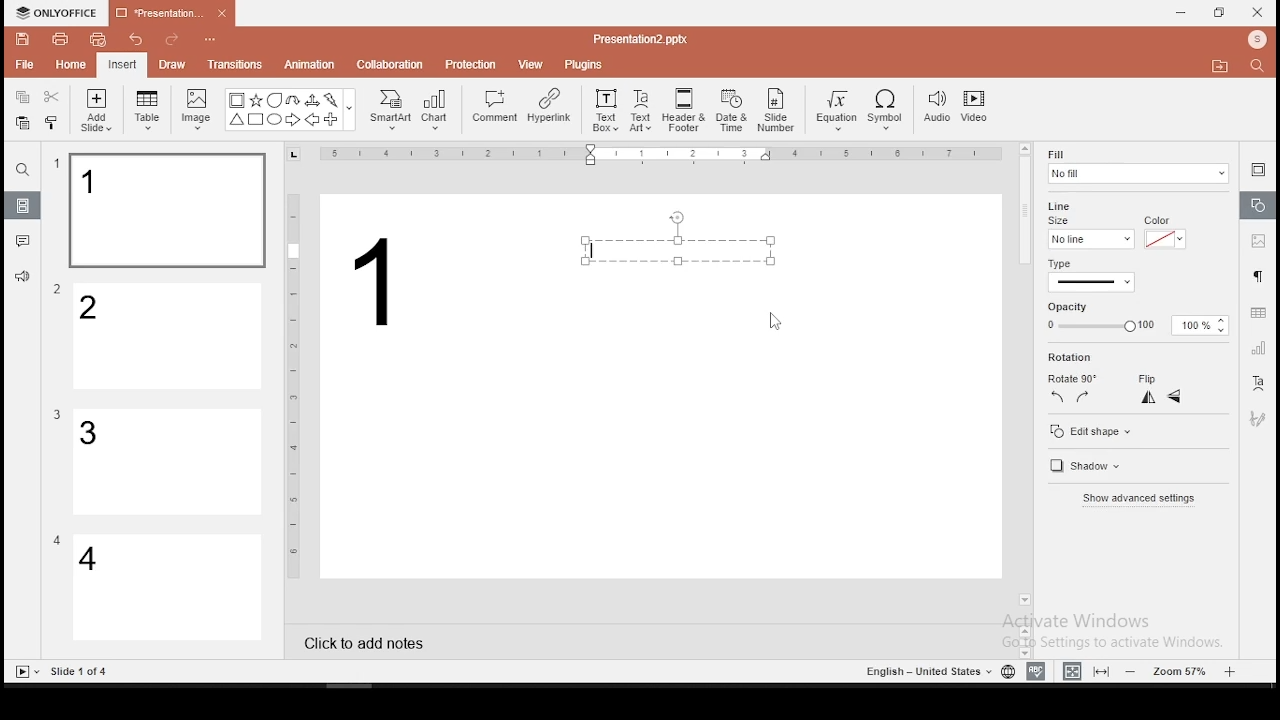 This screenshot has height=720, width=1280. What do you see at coordinates (1137, 166) in the screenshot?
I see `fill` at bounding box center [1137, 166].